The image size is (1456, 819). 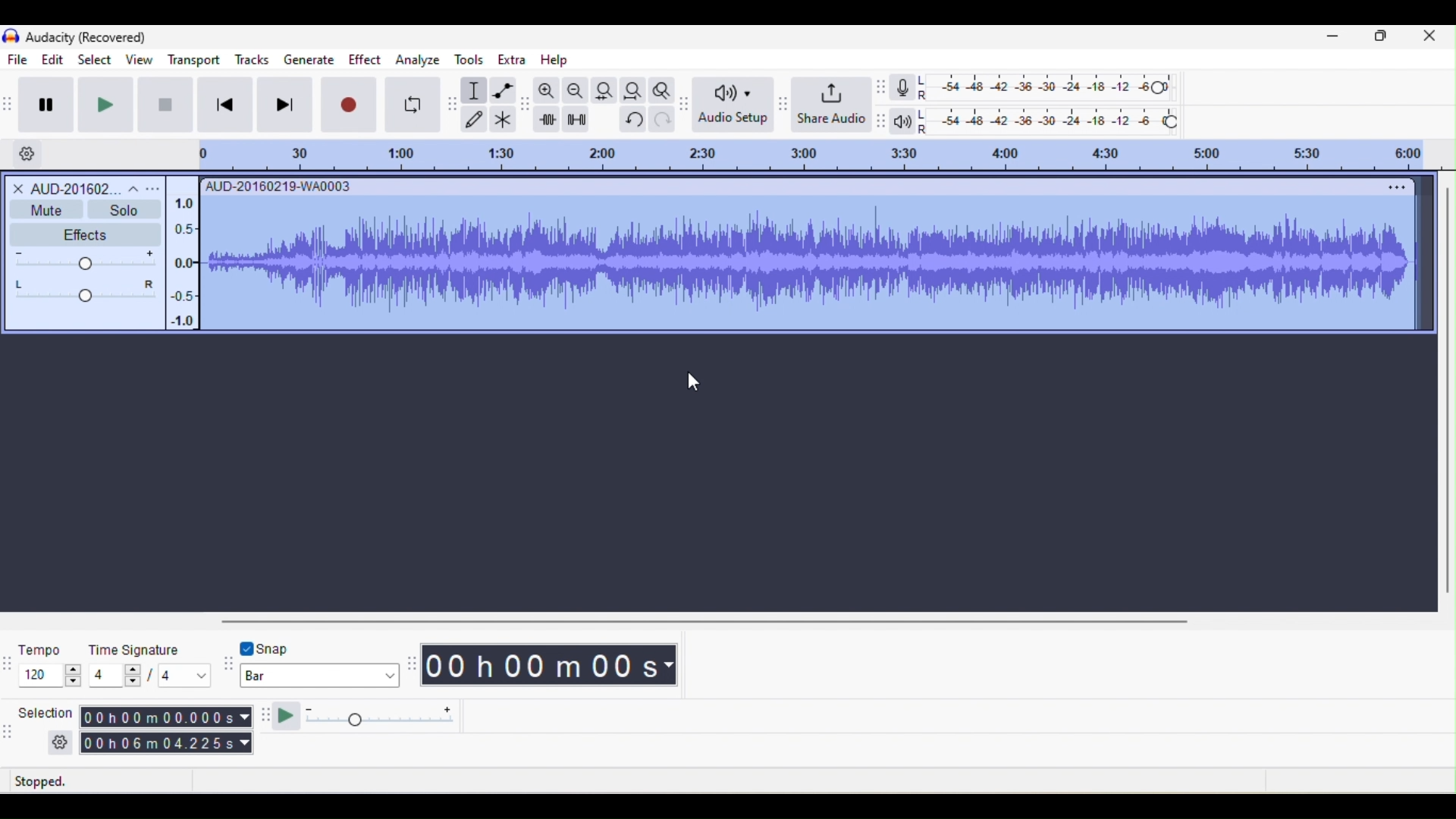 I want to click on Settings, so click(x=27, y=152).